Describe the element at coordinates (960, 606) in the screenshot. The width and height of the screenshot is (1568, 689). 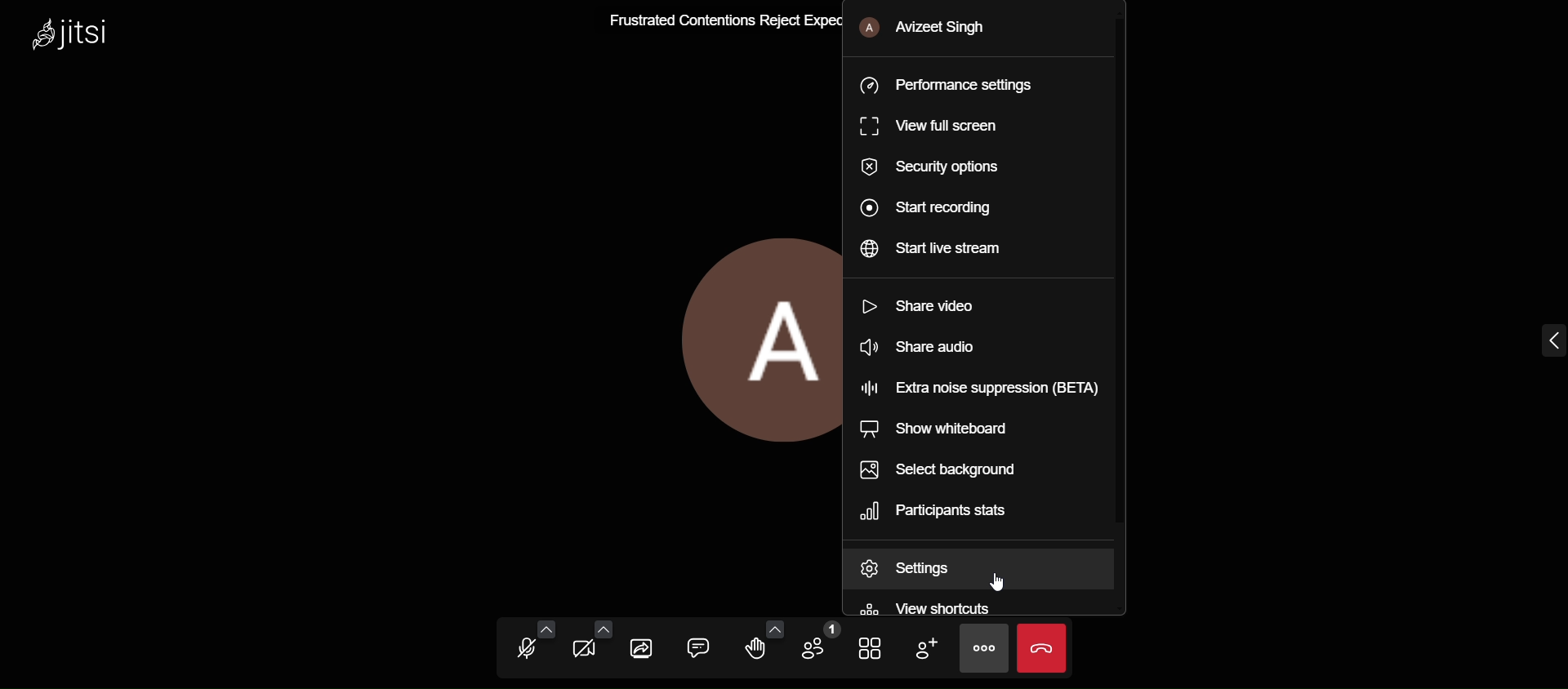
I see `view shortcuts` at that location.